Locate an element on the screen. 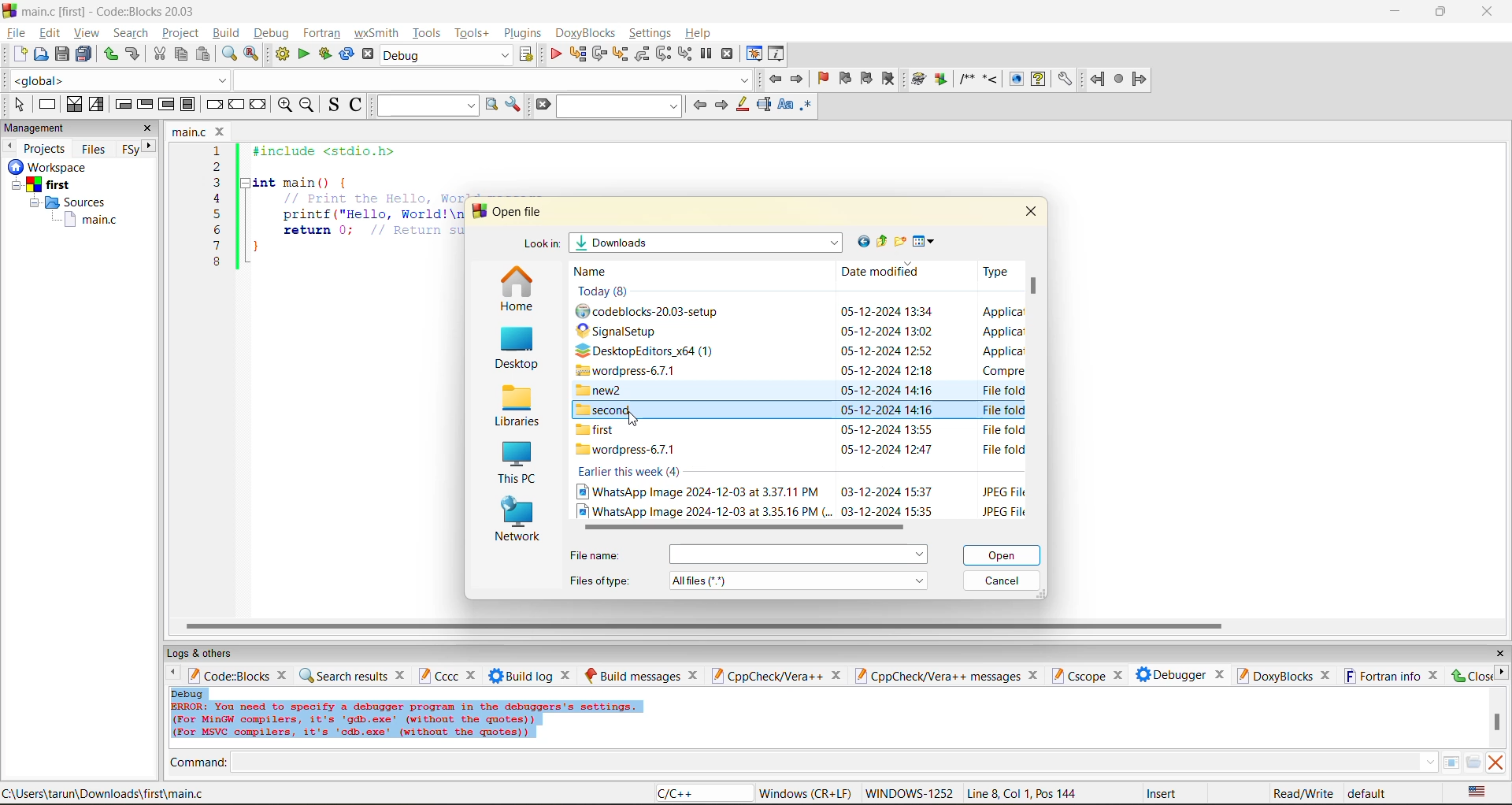 The height and width of the screenshot is (805, 1512). rebuild is located at coordinates (346, 54).